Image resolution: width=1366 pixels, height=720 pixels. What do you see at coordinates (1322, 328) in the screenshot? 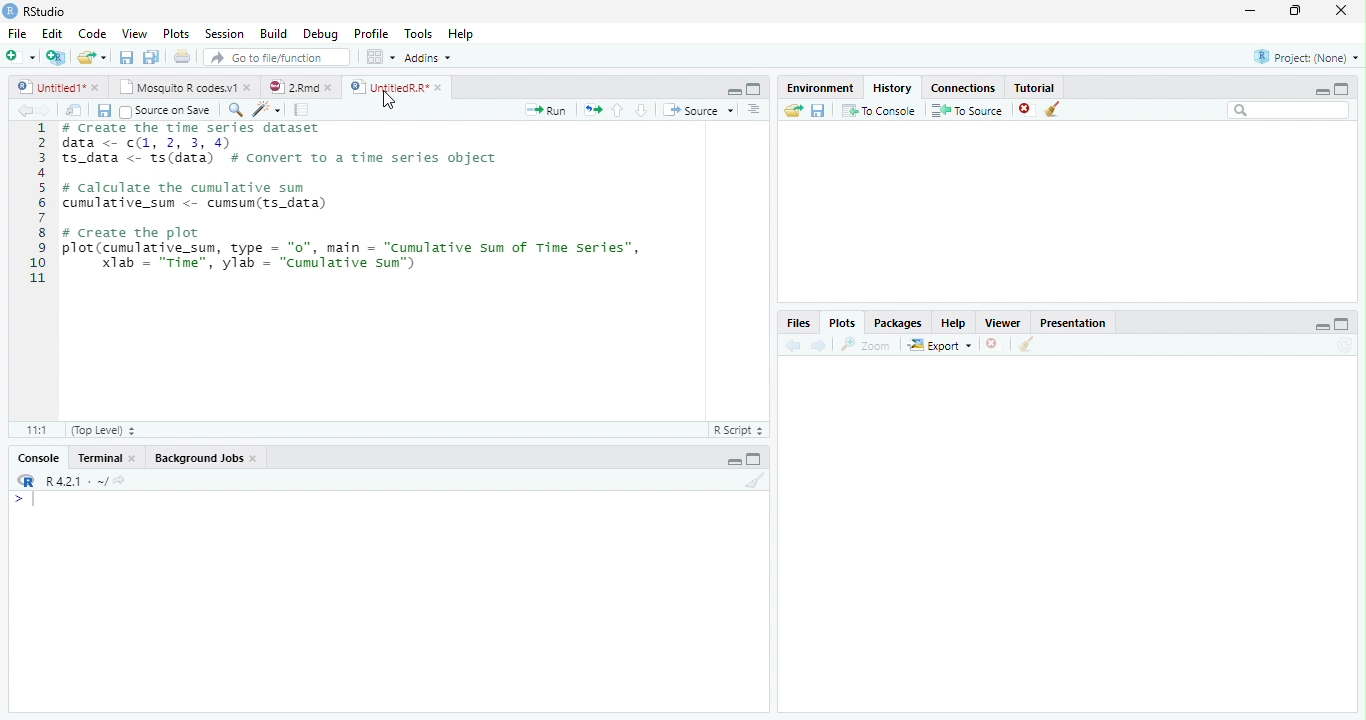
I see `Minimize` at bounding box center [1322, 328].